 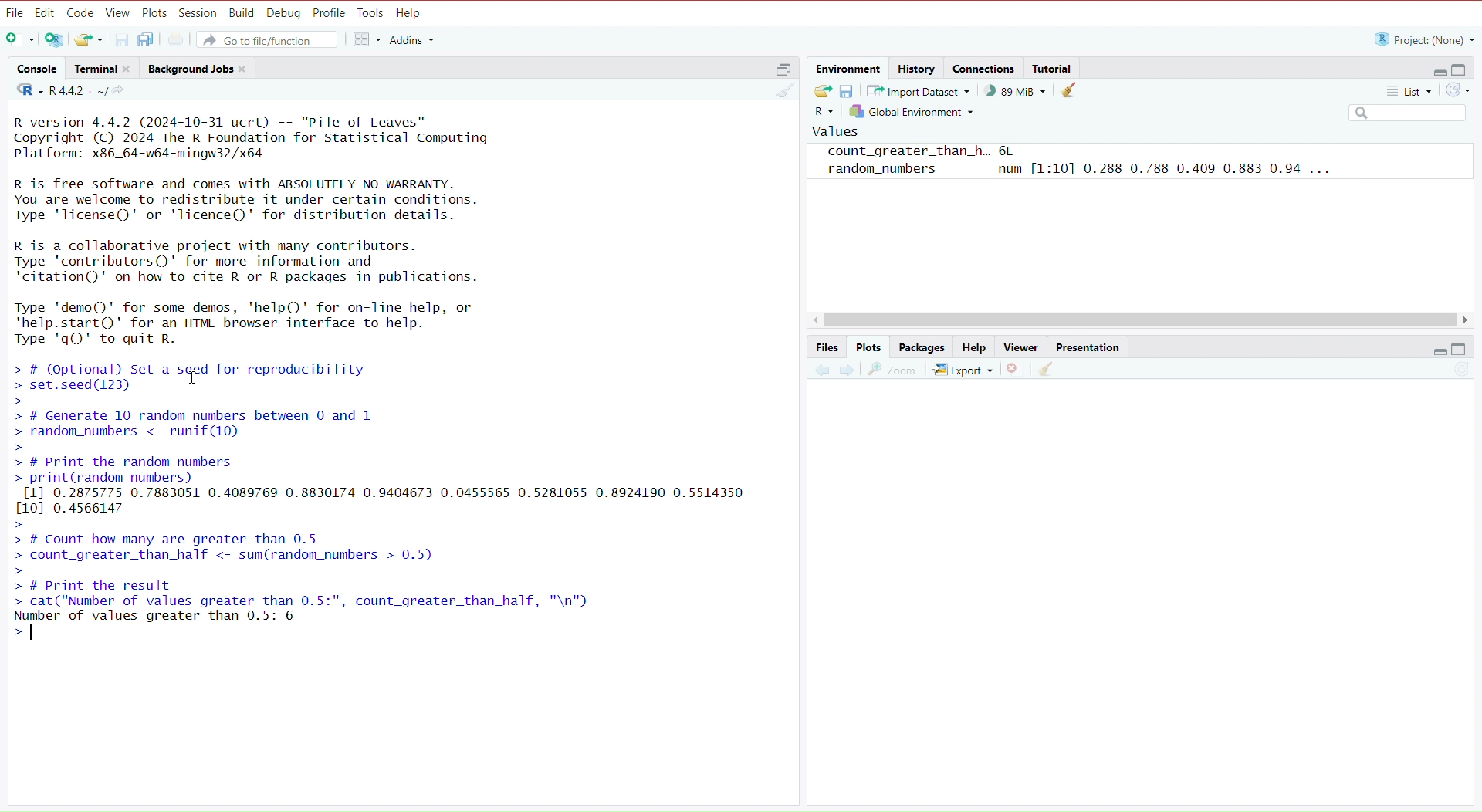 What do you see at coordinates (848, 91) in the screenshot?
I see `Save` at bounding box center [848, 91].